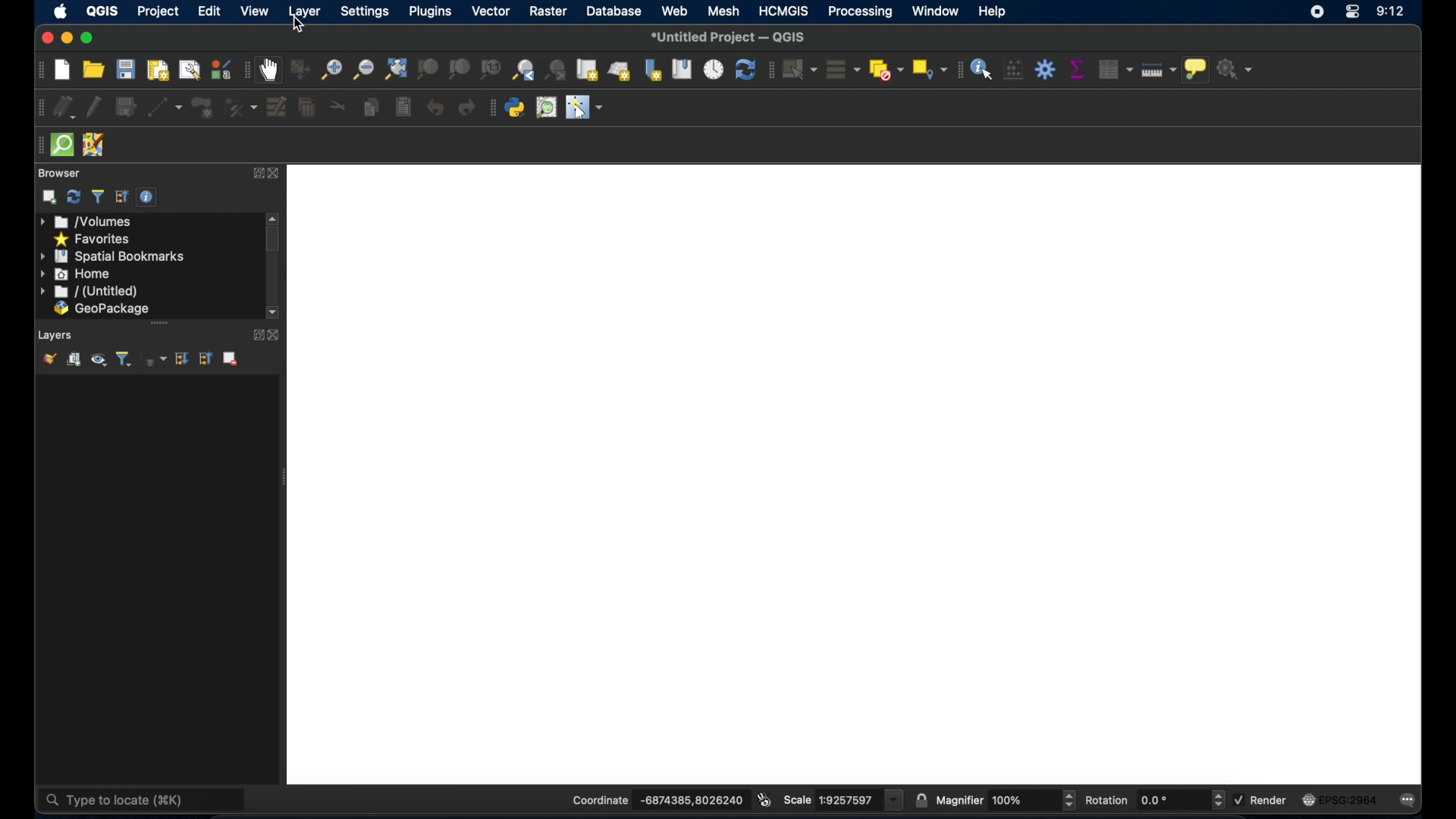  Describe the element at coordinates (188, 69) in the screenshot. I see `show layout manager` at that location.